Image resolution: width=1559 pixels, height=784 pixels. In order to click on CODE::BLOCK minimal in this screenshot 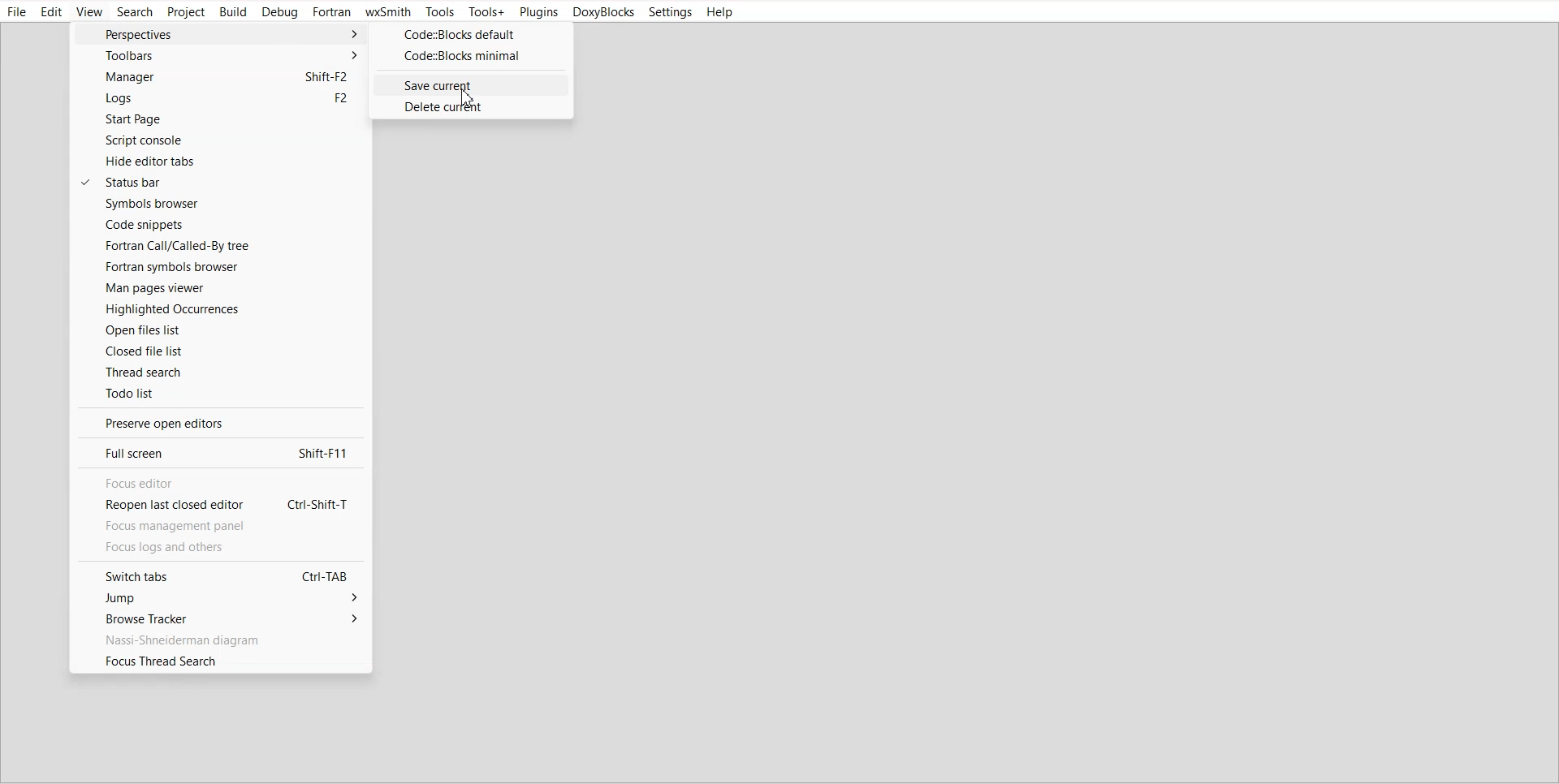, I will do `click(469, 56)`.